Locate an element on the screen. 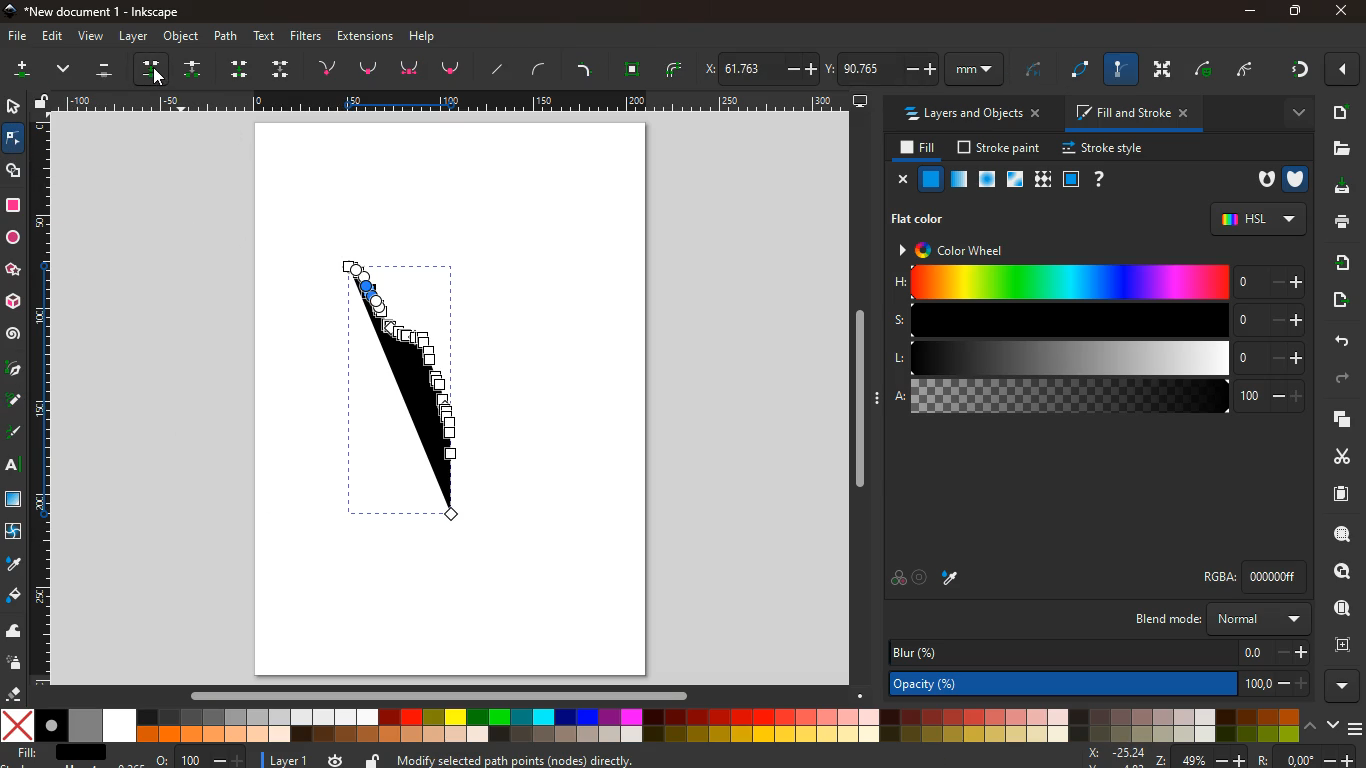  change is located at coordinates (195, 69).